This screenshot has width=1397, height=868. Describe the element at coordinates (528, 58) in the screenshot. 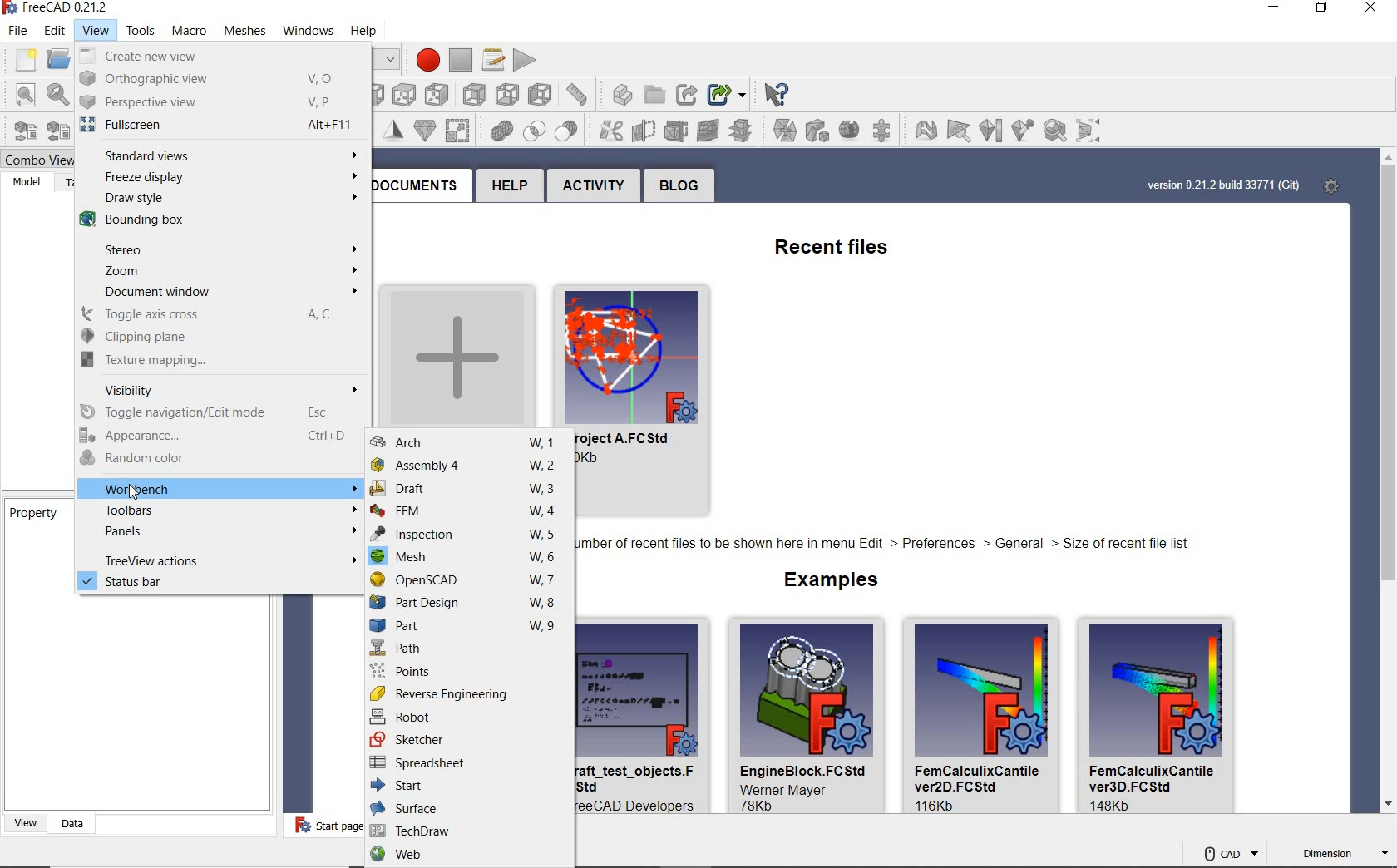

I see `execute macro` at that location.